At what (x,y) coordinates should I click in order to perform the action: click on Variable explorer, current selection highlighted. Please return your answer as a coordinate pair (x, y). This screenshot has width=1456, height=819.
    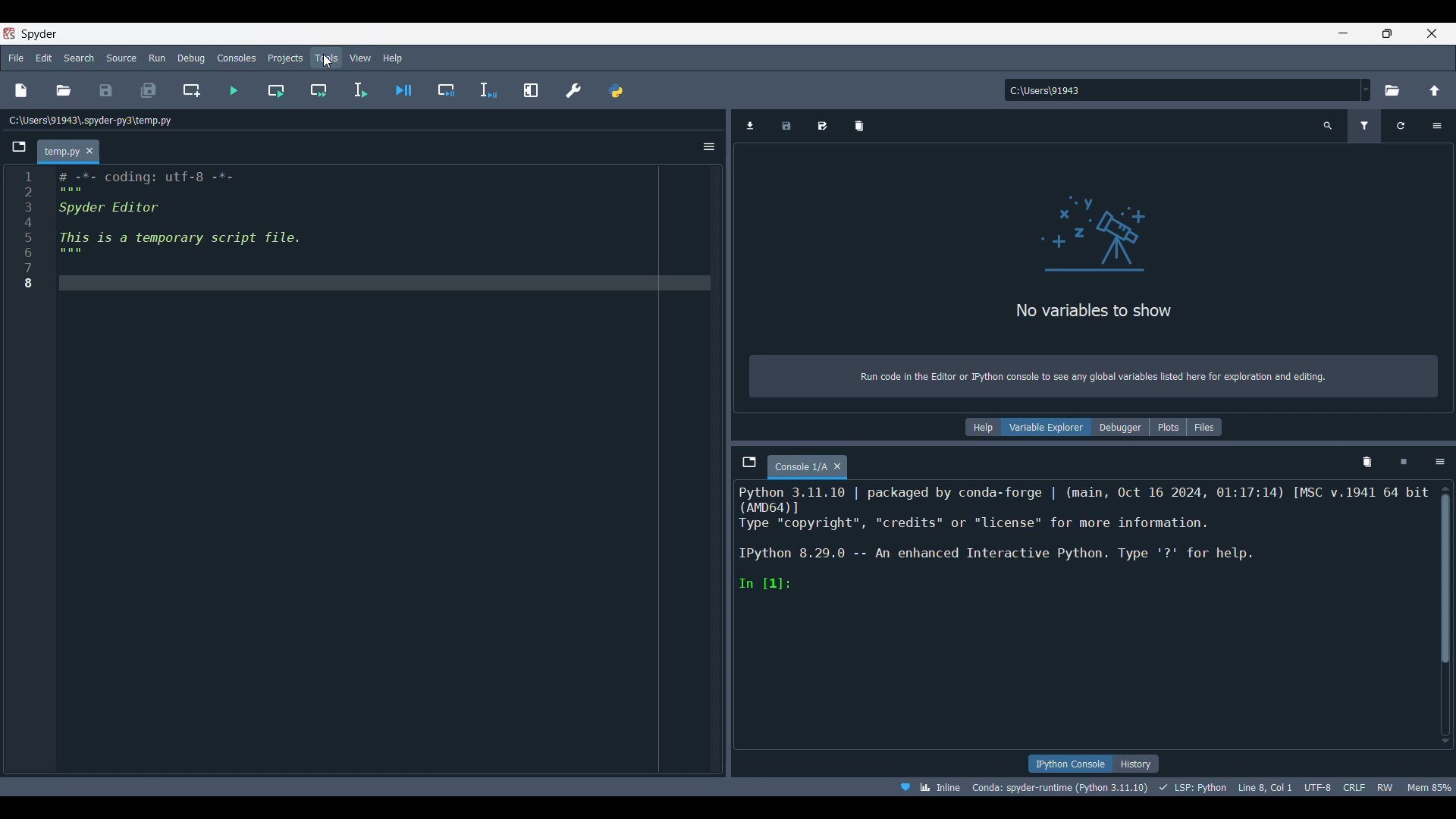
    Looking at the image, I should click on (1046, 427).